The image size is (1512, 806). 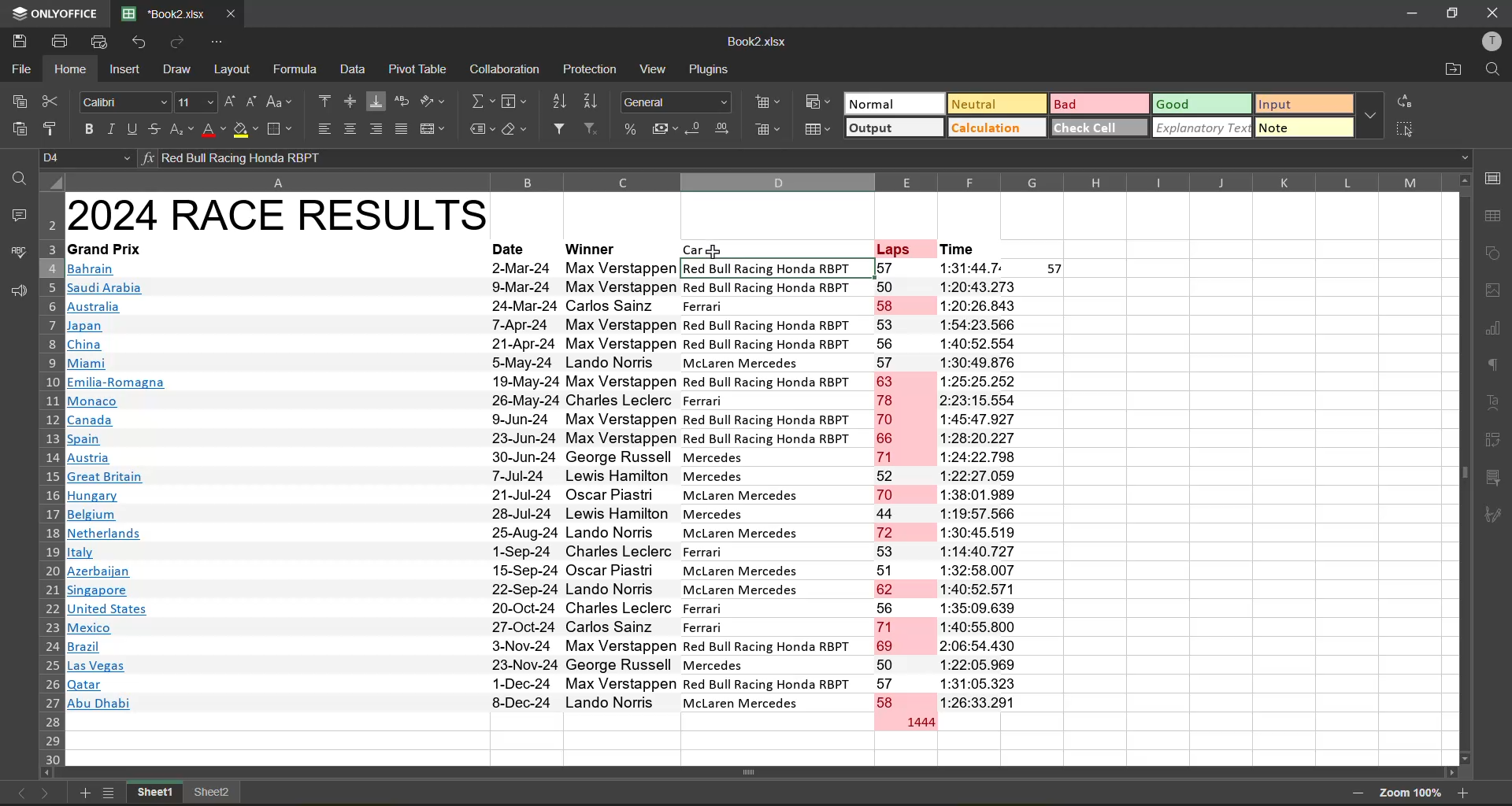 I want to click on Person names, so click(x=621, y=485).